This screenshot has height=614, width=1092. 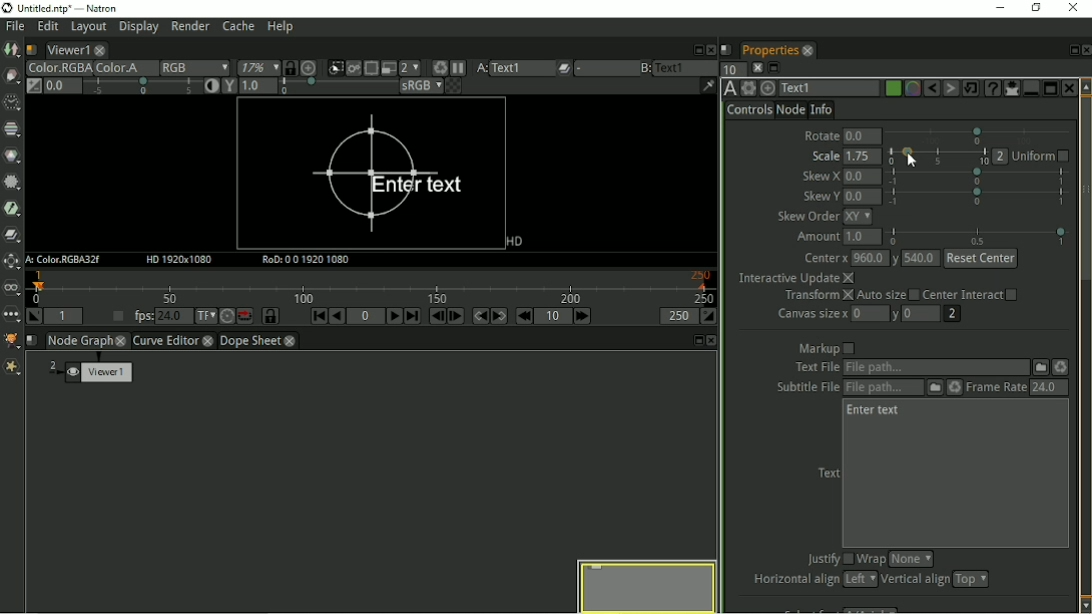 What do you see at coordinates (729, 89) in the screenshot?
I see `TextOFX Version 6.13` at bounding box center [729, 89].